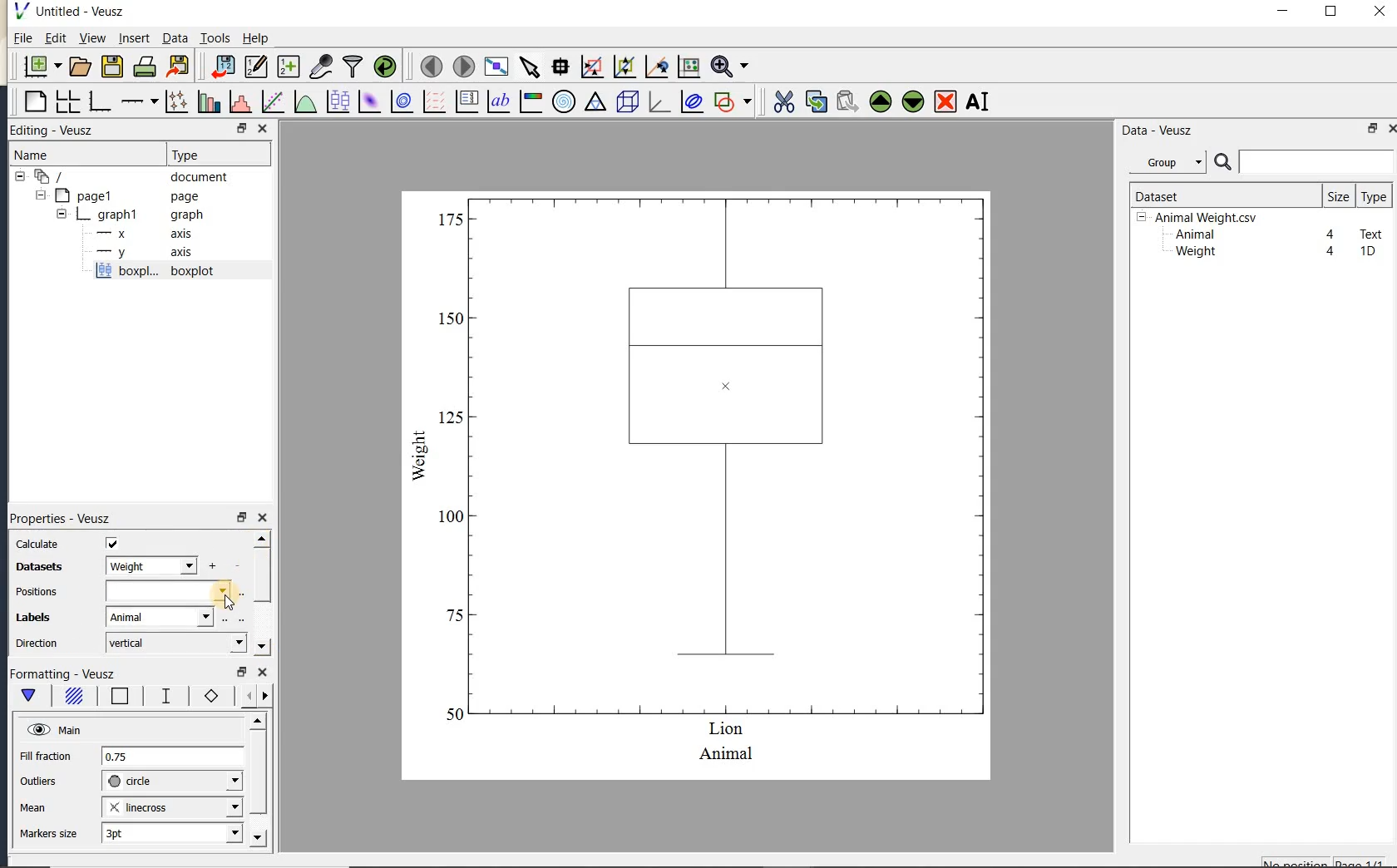  What do you see at coordinates (690, 101) in the screenshot?
I see `plot covariance ellipses` at bounding box center [690, 101].